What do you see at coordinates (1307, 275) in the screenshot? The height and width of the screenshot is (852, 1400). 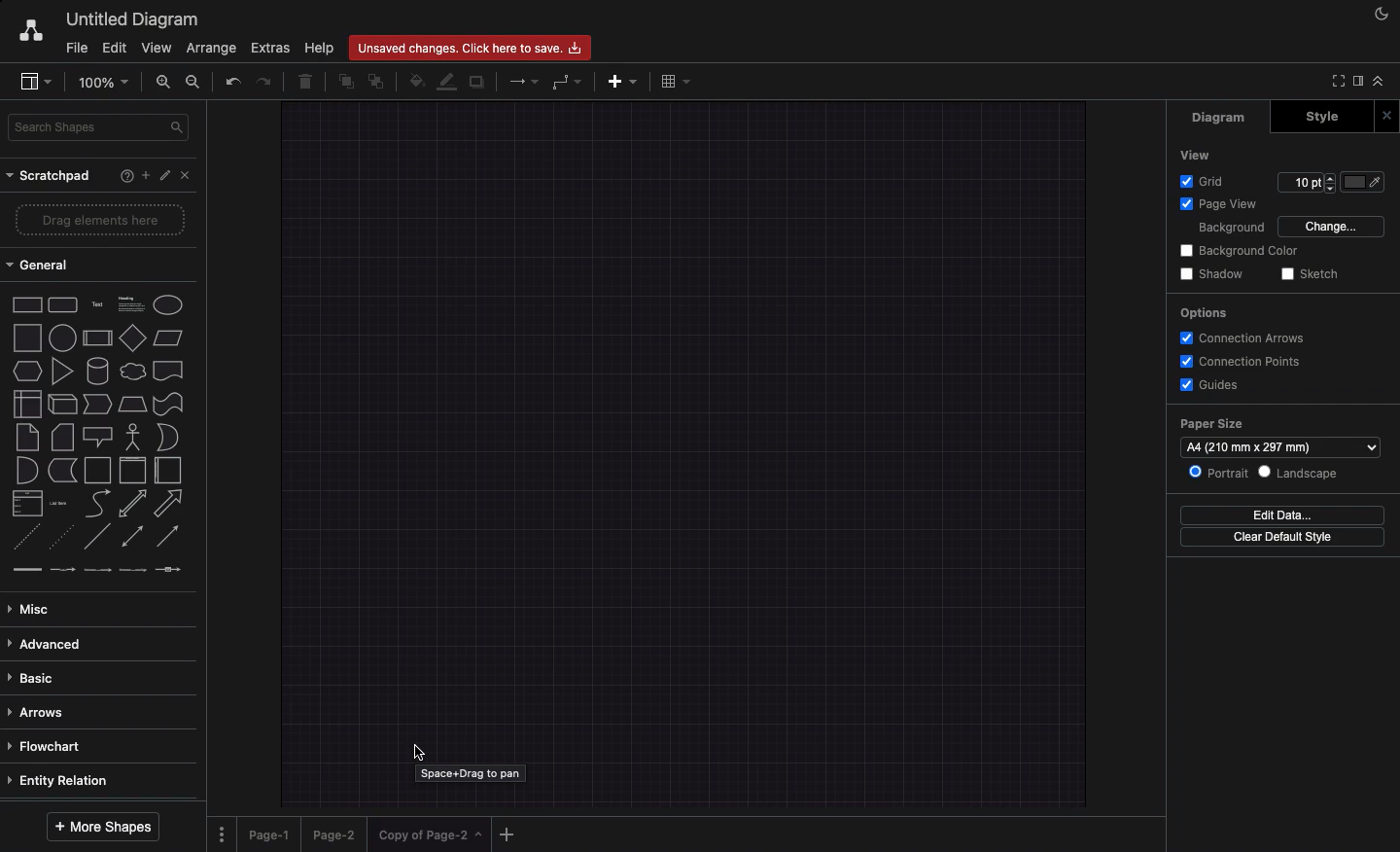 I see `Sketch` at bounding box center [1307, 275].